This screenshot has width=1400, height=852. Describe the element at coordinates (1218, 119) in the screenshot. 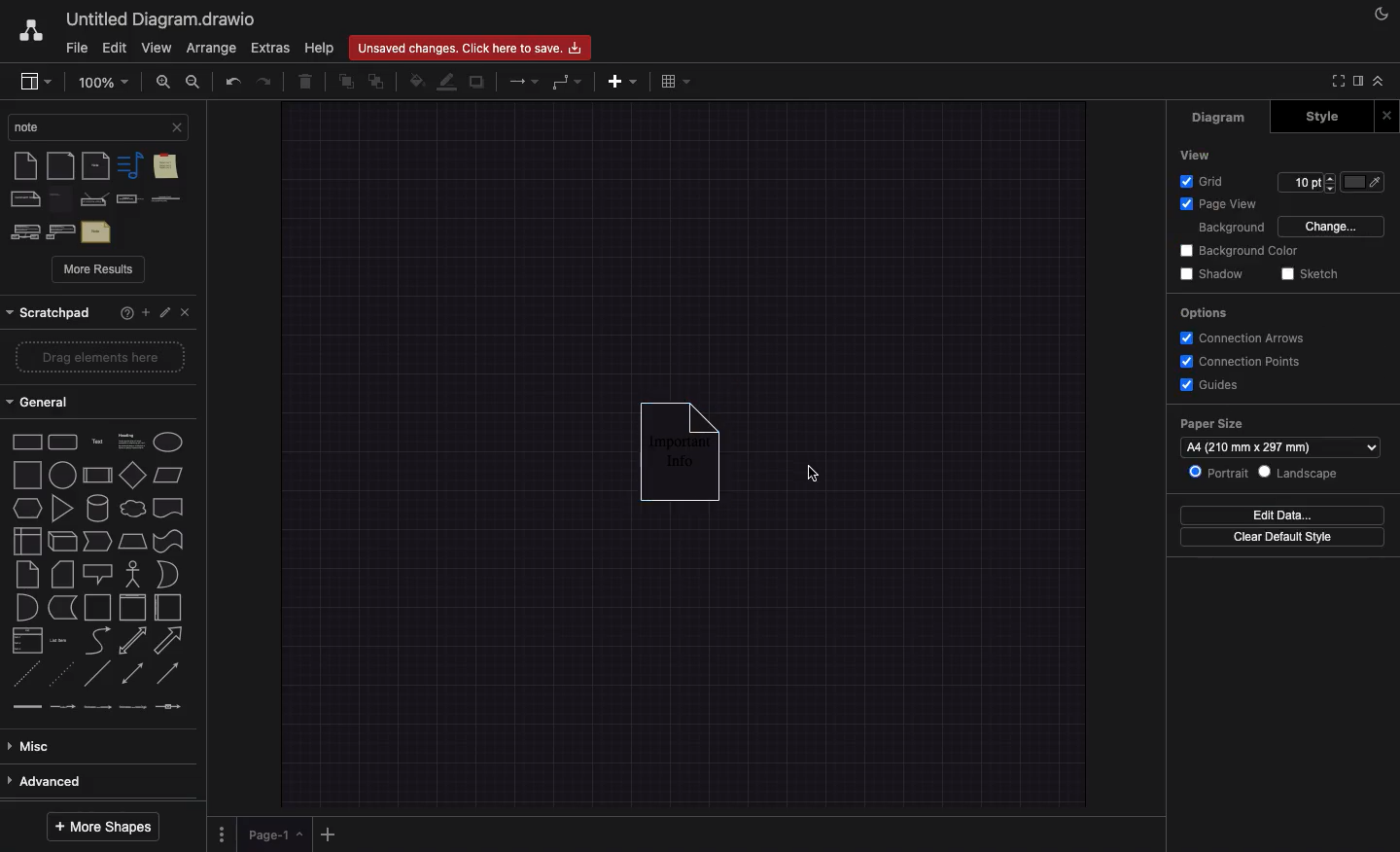

I see `Diagram` at that location.